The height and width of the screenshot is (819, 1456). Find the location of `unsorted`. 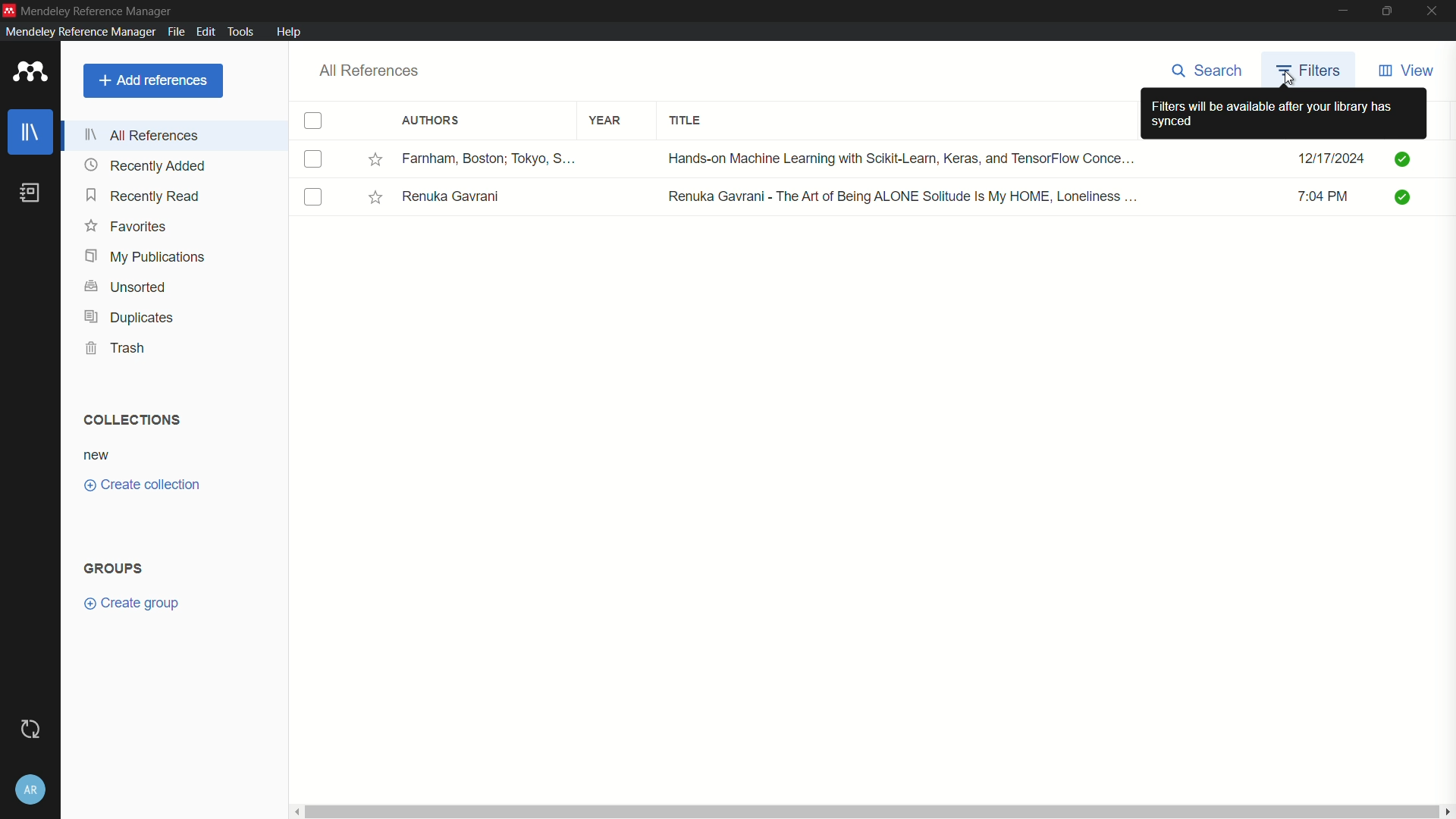

unsorted is located at coordinates (129, 286).